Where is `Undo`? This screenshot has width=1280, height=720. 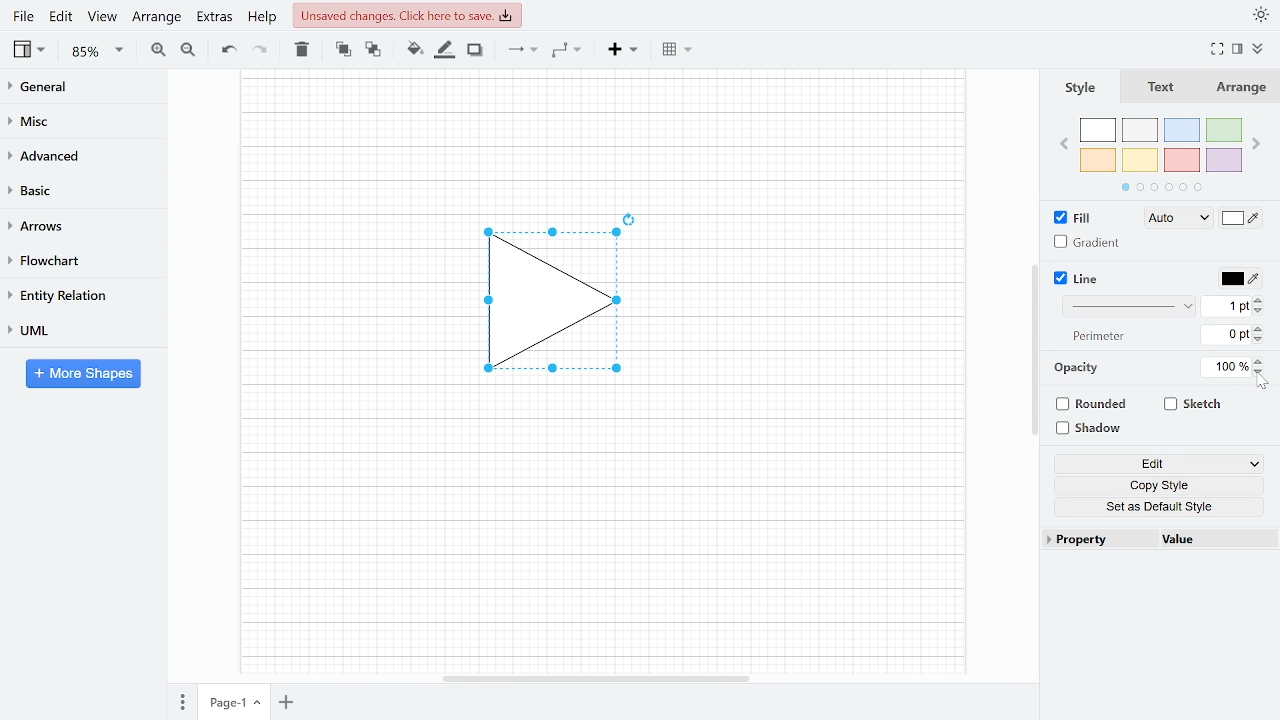 Undo is located at coordinates (228, 50).